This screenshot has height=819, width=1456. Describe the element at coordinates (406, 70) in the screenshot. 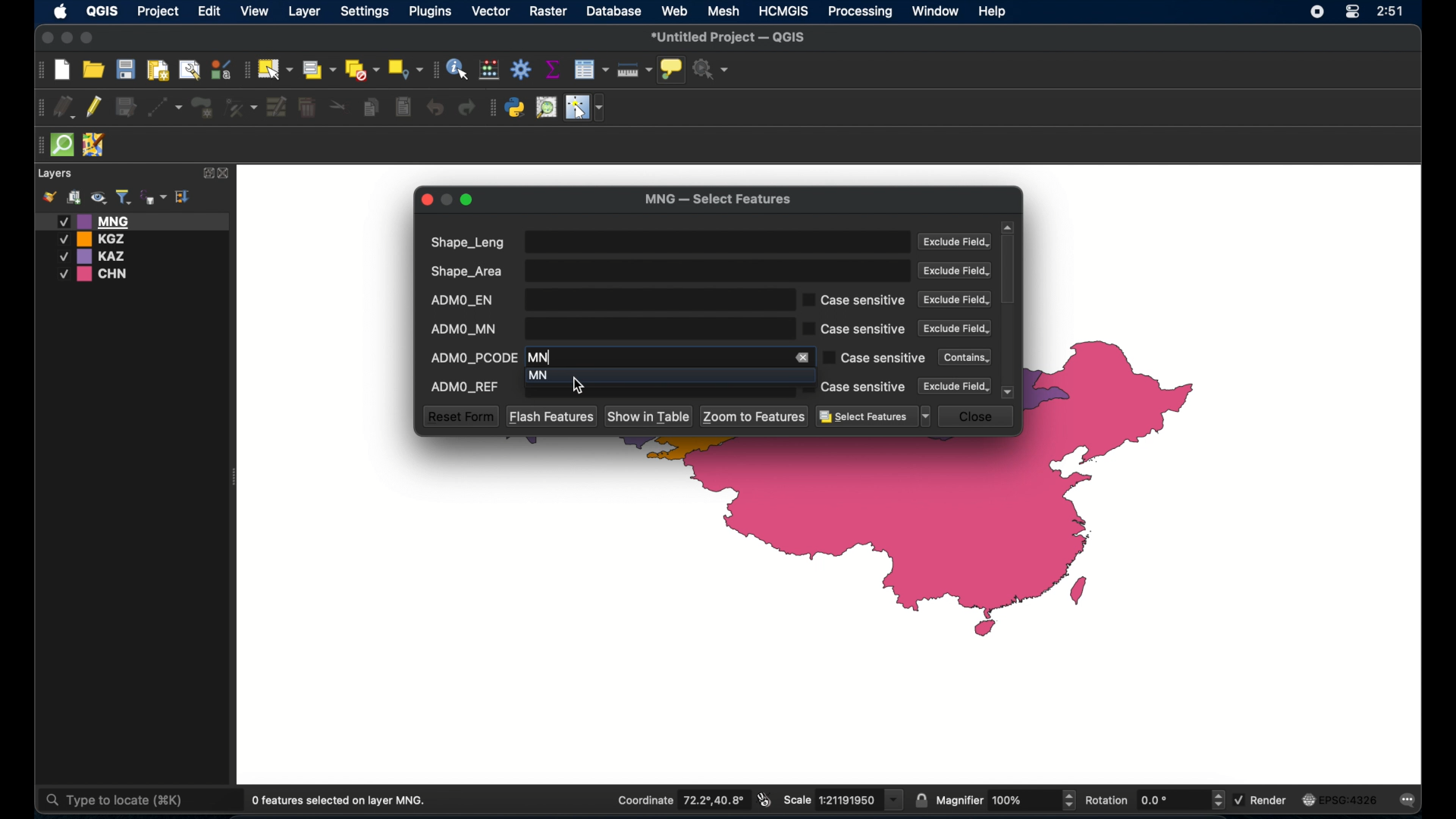

I see `select by location` at that location.